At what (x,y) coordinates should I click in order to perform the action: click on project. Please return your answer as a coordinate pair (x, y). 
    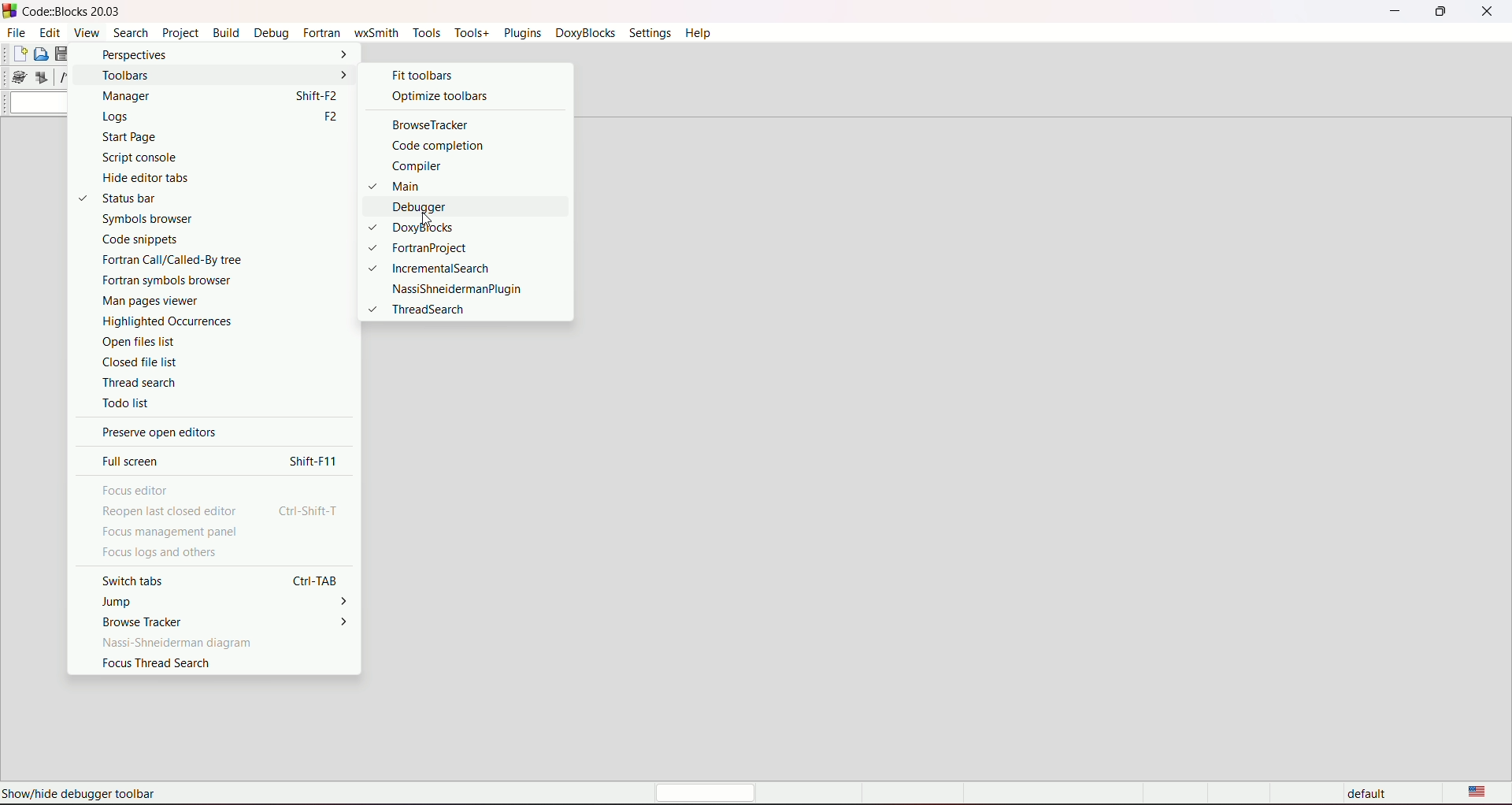
    Looking at the image, I should click on (178, 33).